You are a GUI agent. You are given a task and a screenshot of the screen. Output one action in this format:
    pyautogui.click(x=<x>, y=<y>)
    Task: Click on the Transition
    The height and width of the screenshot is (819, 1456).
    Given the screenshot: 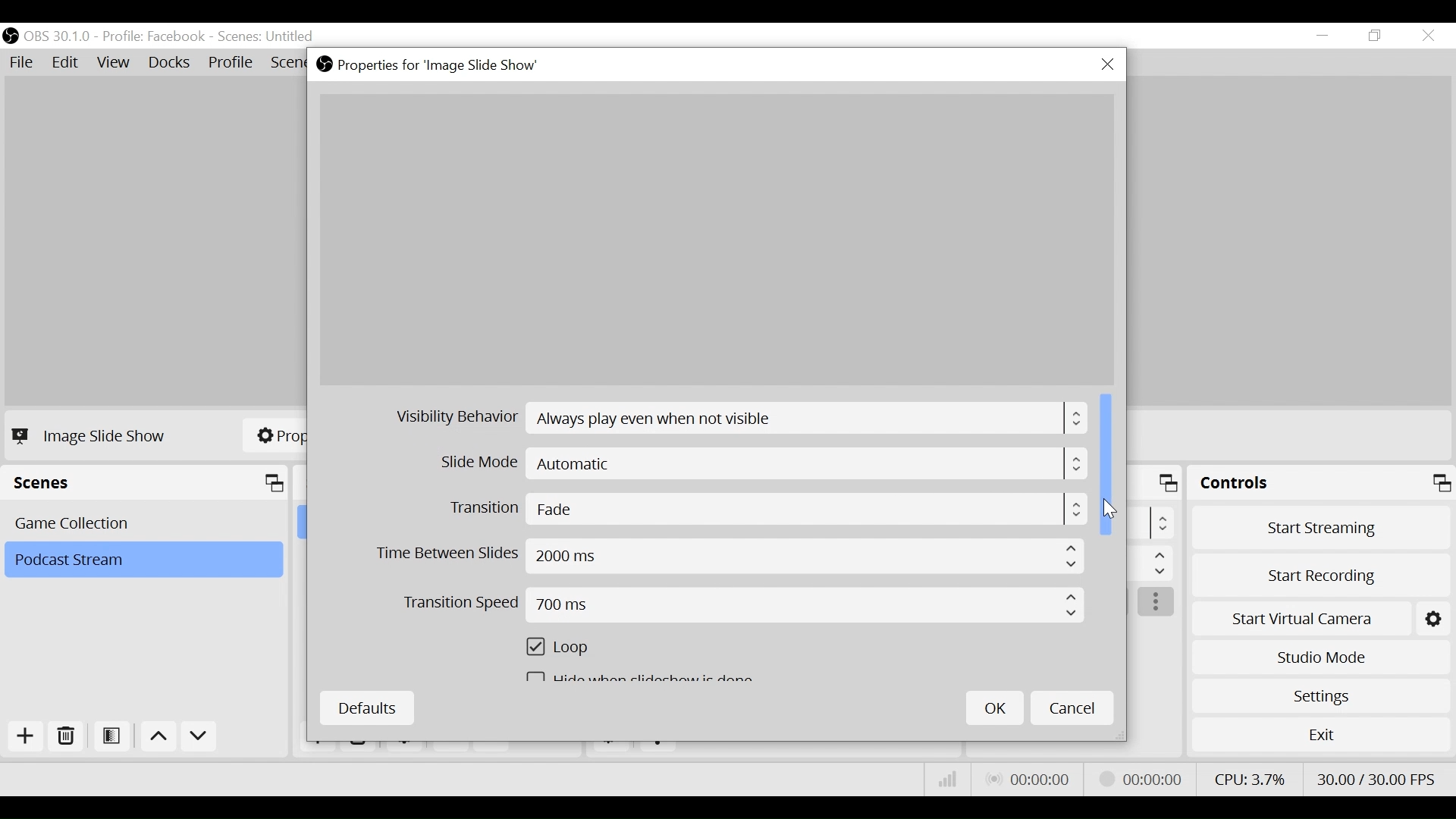 What is the action you would take?
    pyautogui.click(x=766, y=510)
    